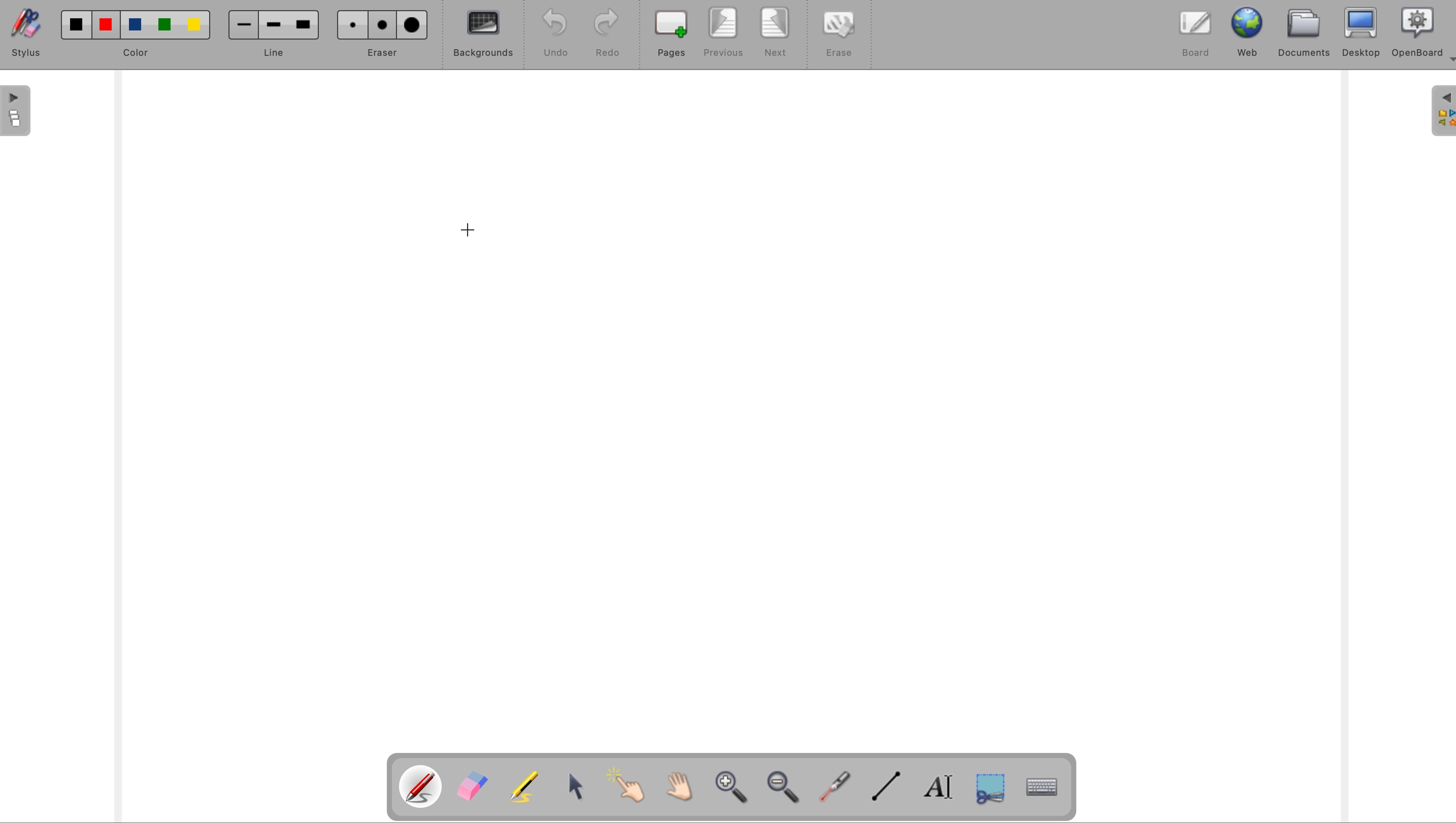 The width and height of the screenshot is (1456, 823). Describe the element at coordinates (580, 789) in the screenshot. I see `select and modify` at that location.